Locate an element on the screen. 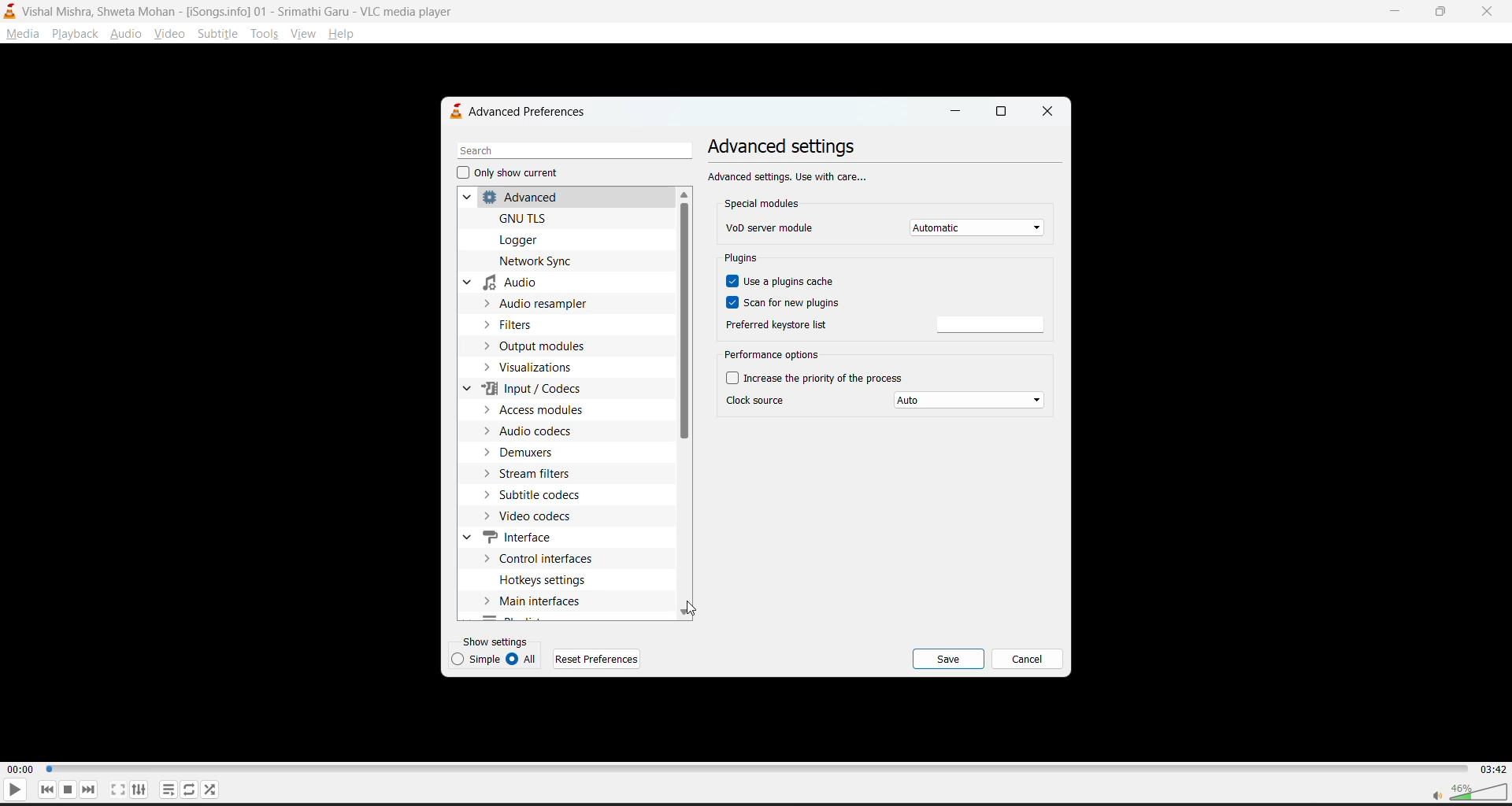  close is located at coordinates (1488, 14).